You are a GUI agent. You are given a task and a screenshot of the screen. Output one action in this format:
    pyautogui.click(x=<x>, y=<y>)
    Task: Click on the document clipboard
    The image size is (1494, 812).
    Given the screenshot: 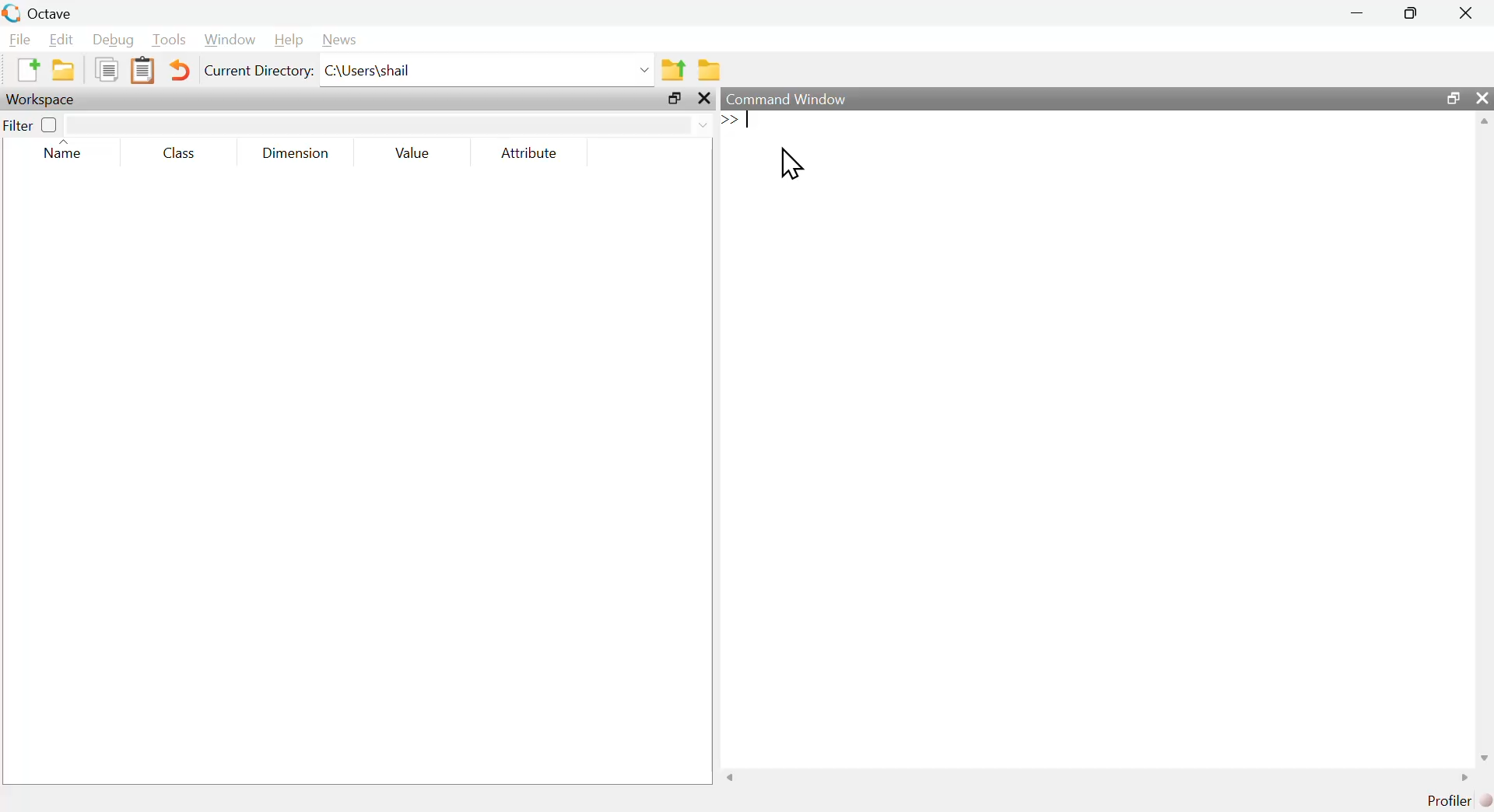 What is the action you would take?
    pyautogui.click(x=145, y=71)
    